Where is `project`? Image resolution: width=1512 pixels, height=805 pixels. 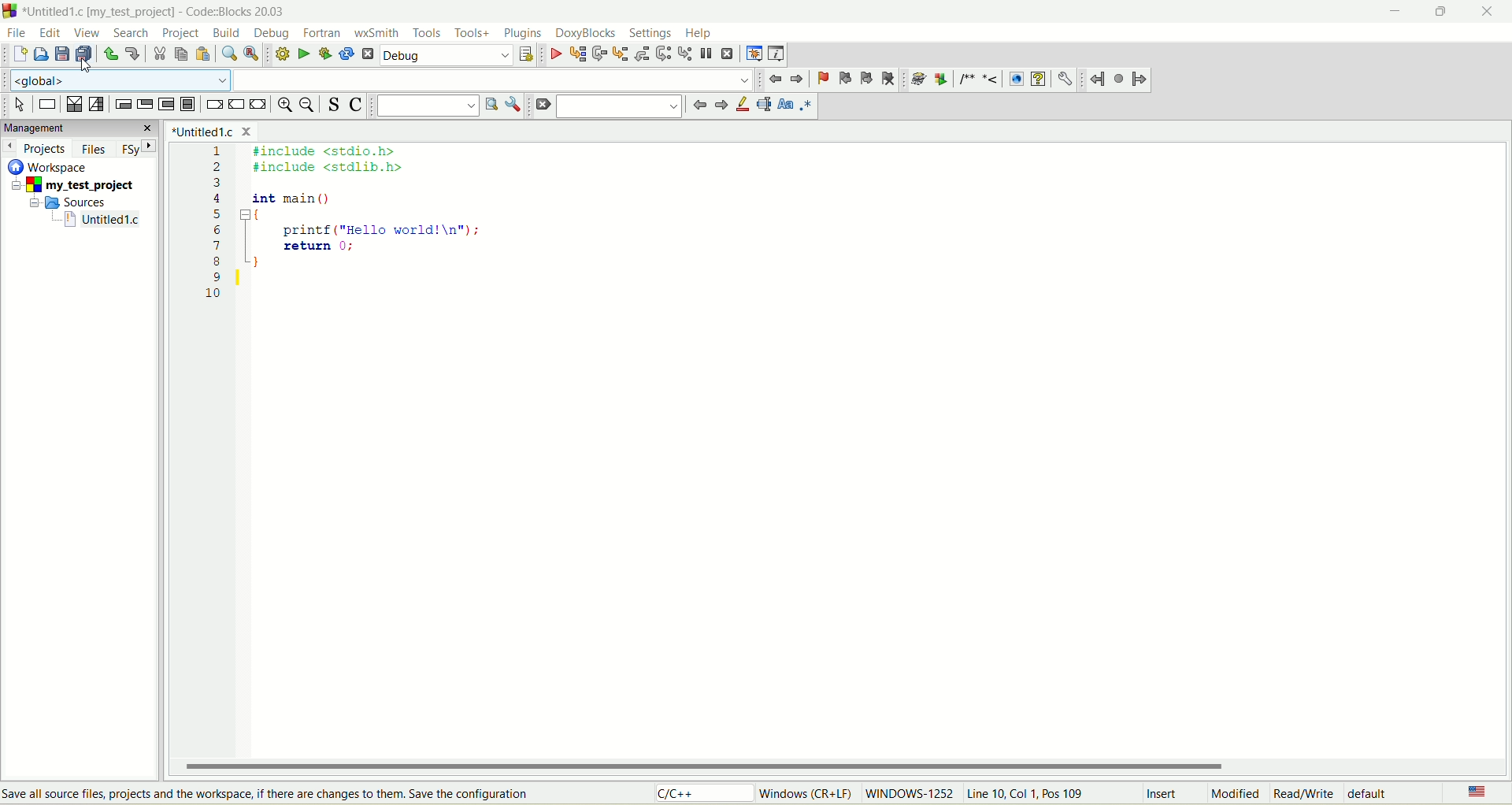
project is located at coordinates (183, 34).